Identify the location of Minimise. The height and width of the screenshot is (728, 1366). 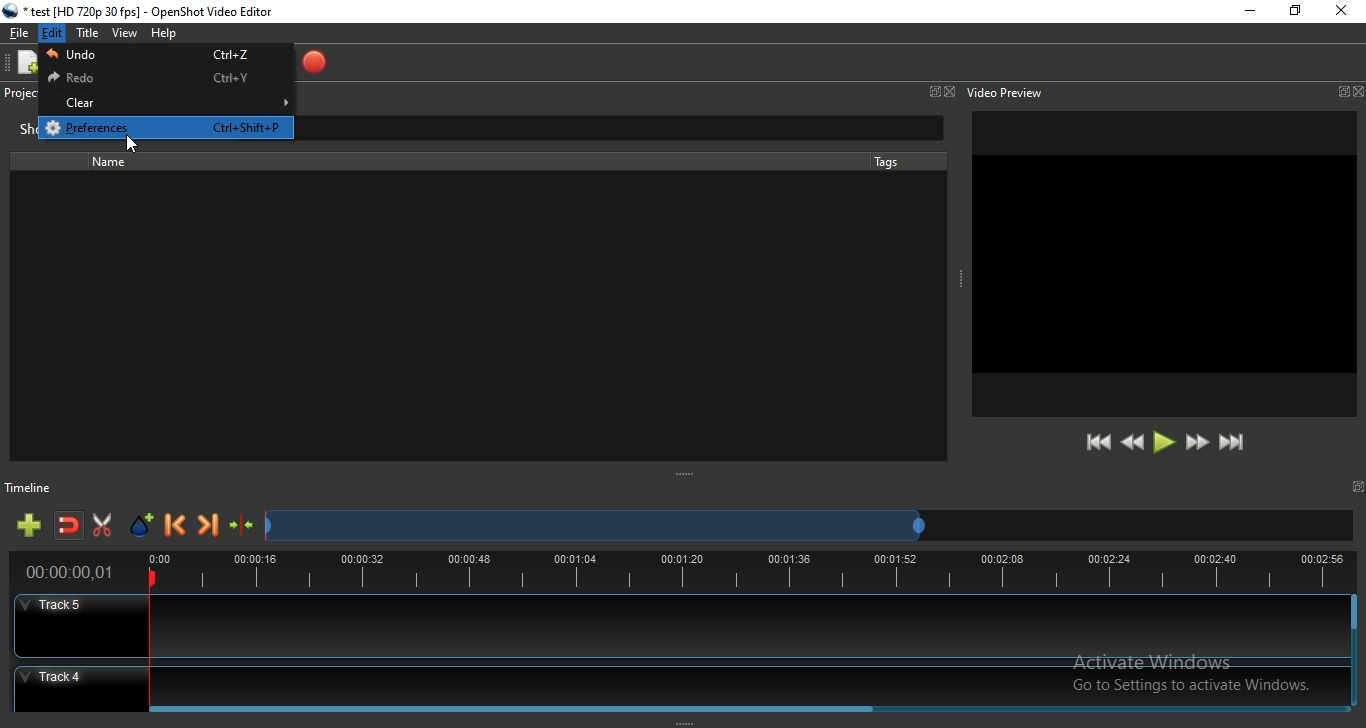
(1249, 12).